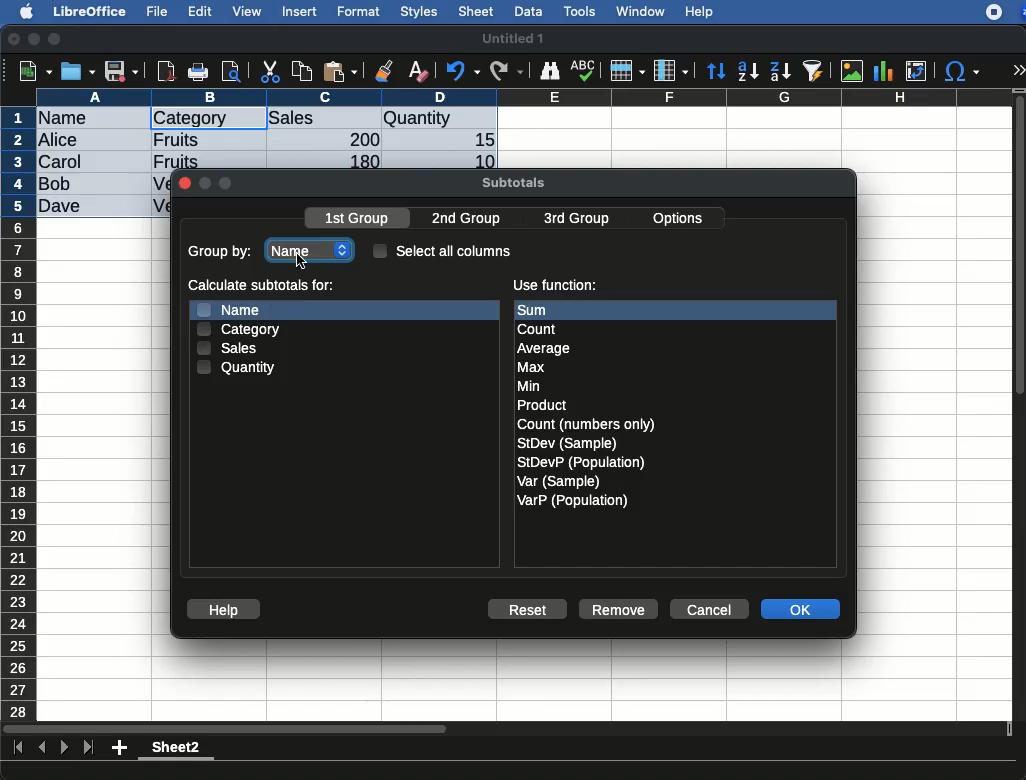 This screenshot has height=780, width=1026. What do you see at coordinates (64, 207) in the screenshot?
I see `Dave` at bounding box center [64, 207].